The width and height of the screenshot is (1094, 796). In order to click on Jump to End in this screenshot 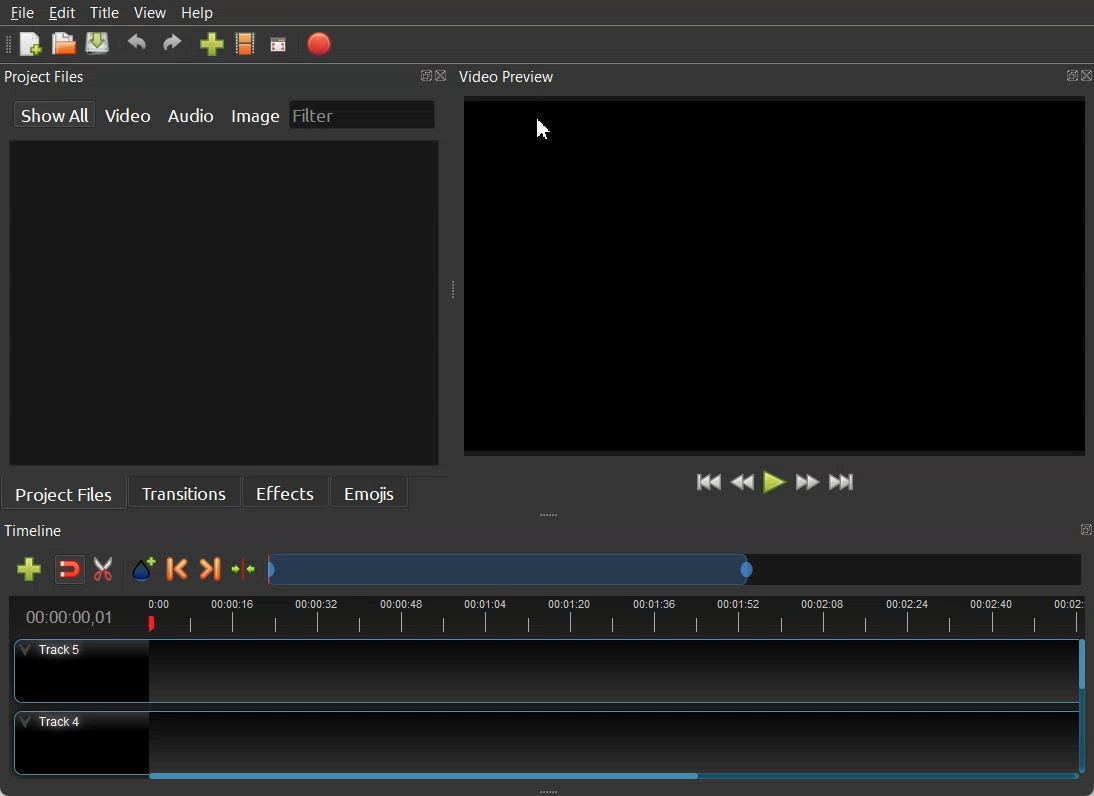, I will do `click(841, 481)`.